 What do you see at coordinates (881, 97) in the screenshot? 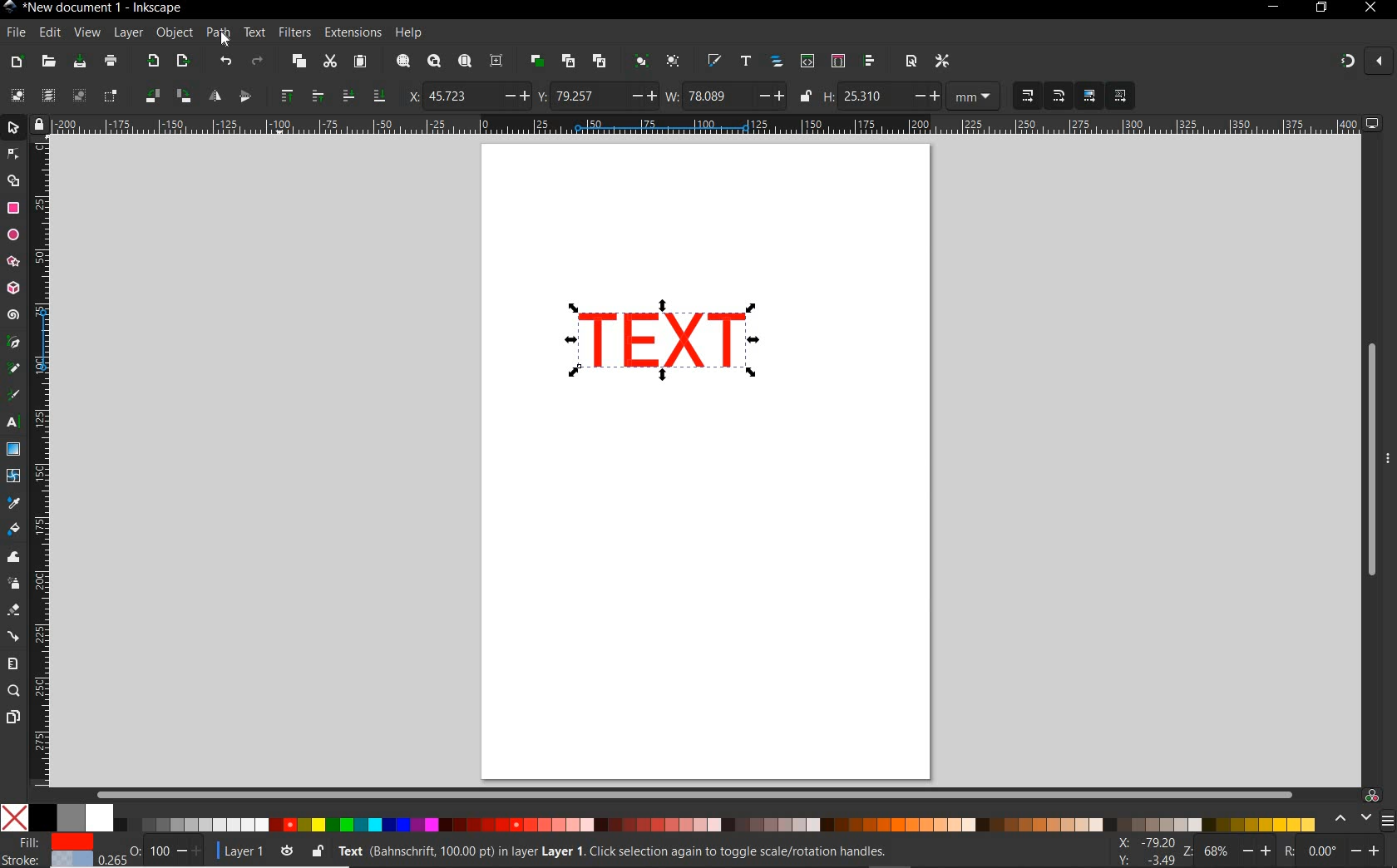
I see `HEIGHT OF SELECTION` at bounding box center [881, 97].